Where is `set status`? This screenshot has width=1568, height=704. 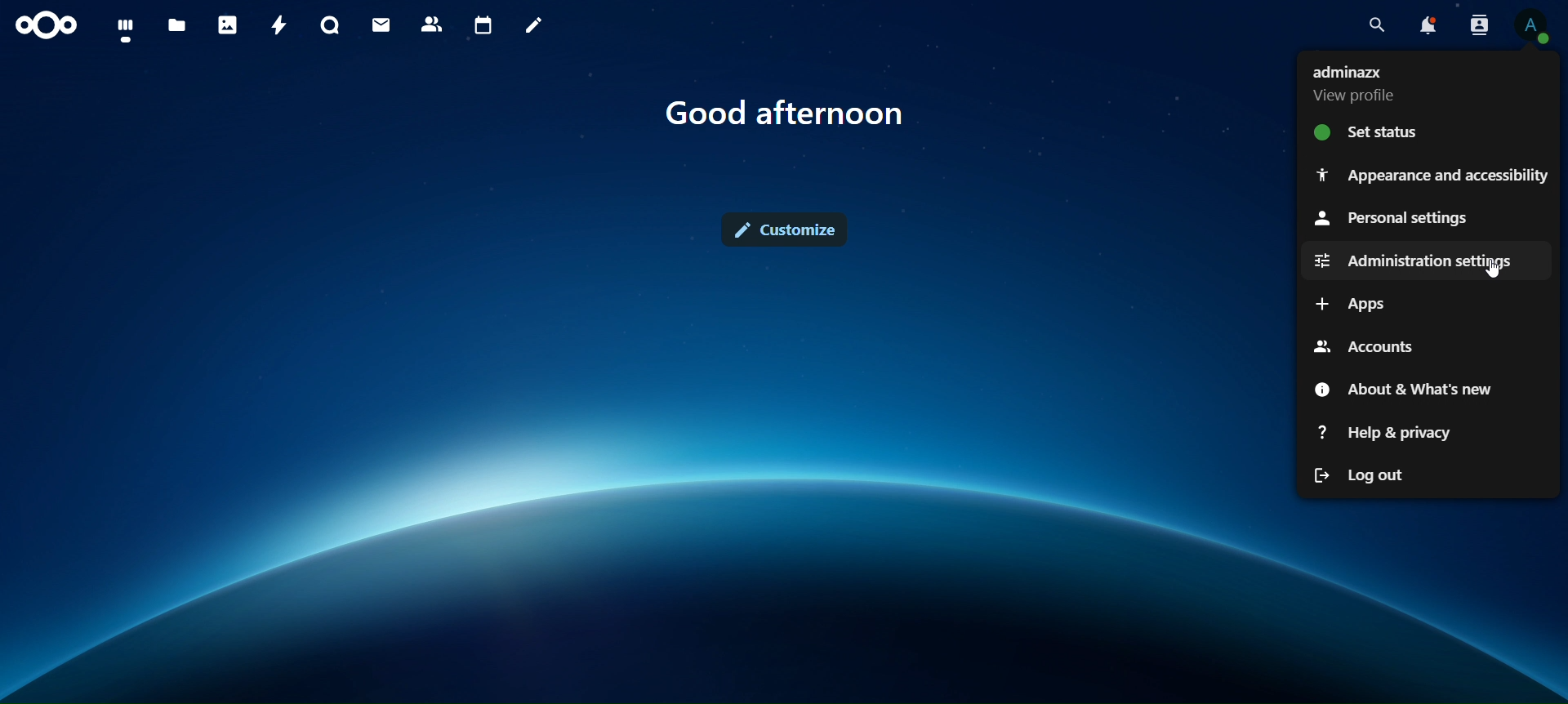 set status is located at coordinates (1375, 134).